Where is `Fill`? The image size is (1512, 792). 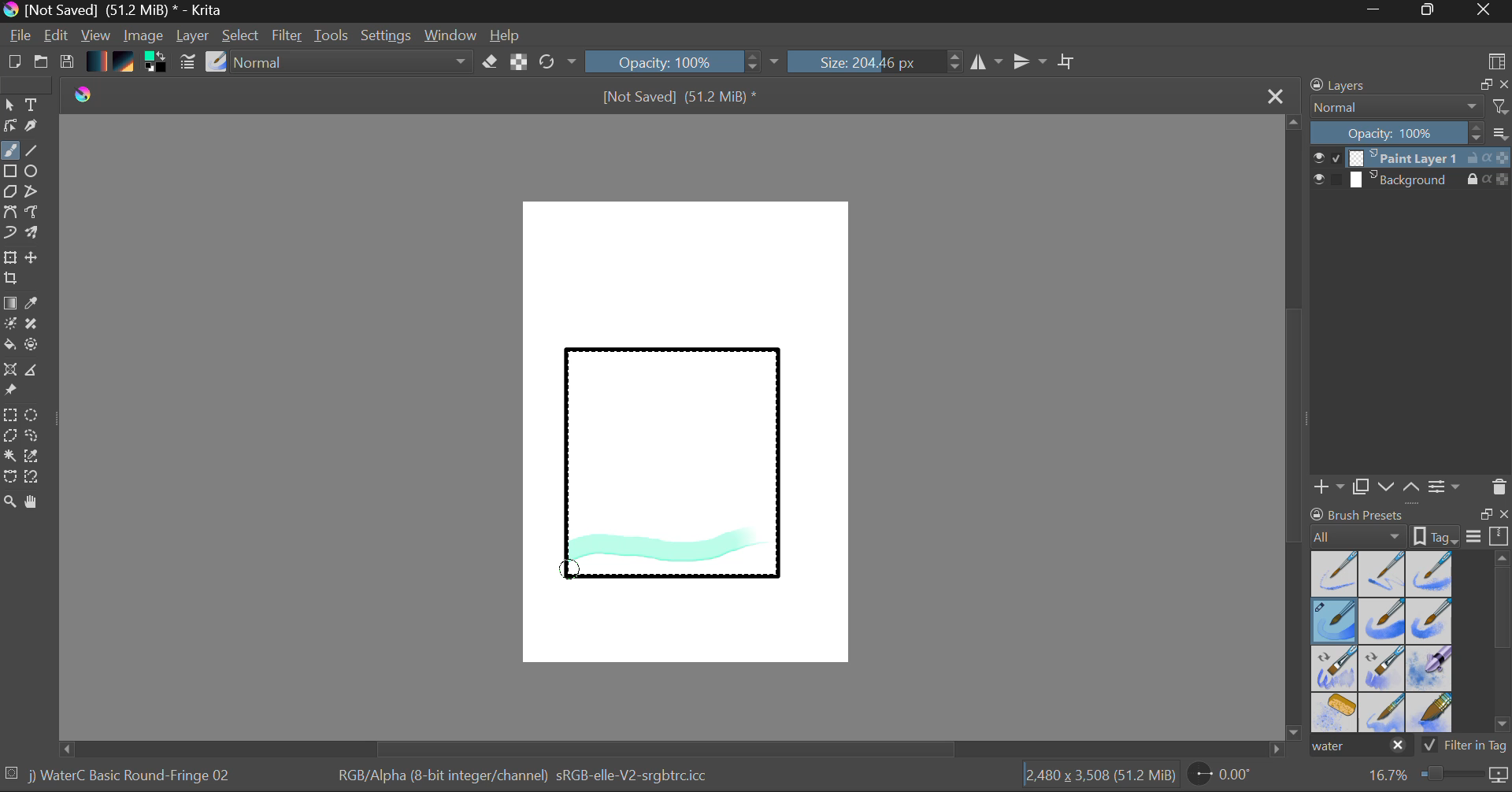 Fill is located at coordinates (9, 347).